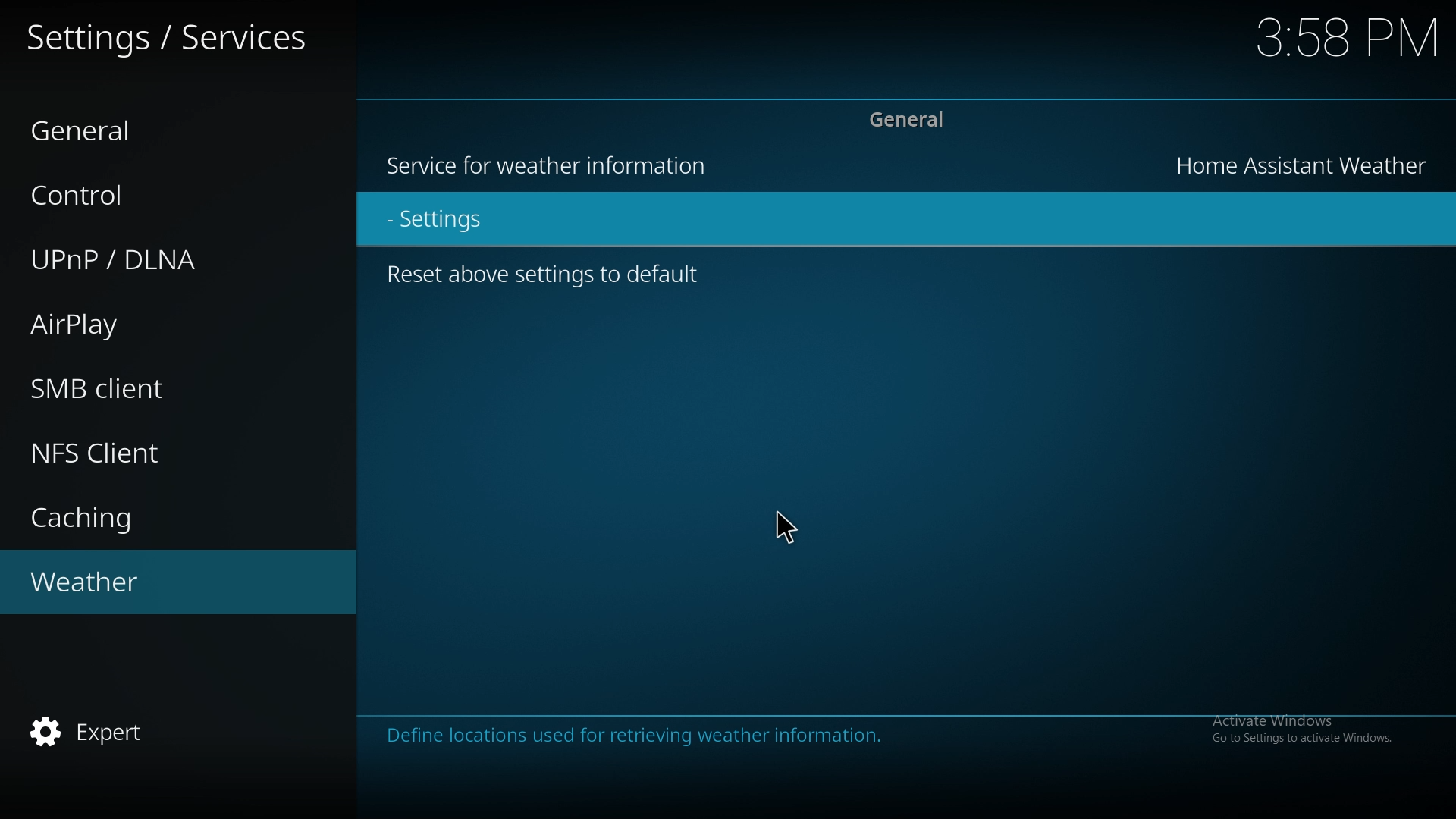 The width and height of the screenshot is (1456, 819). I want to click on Time, so click(1348, 35).